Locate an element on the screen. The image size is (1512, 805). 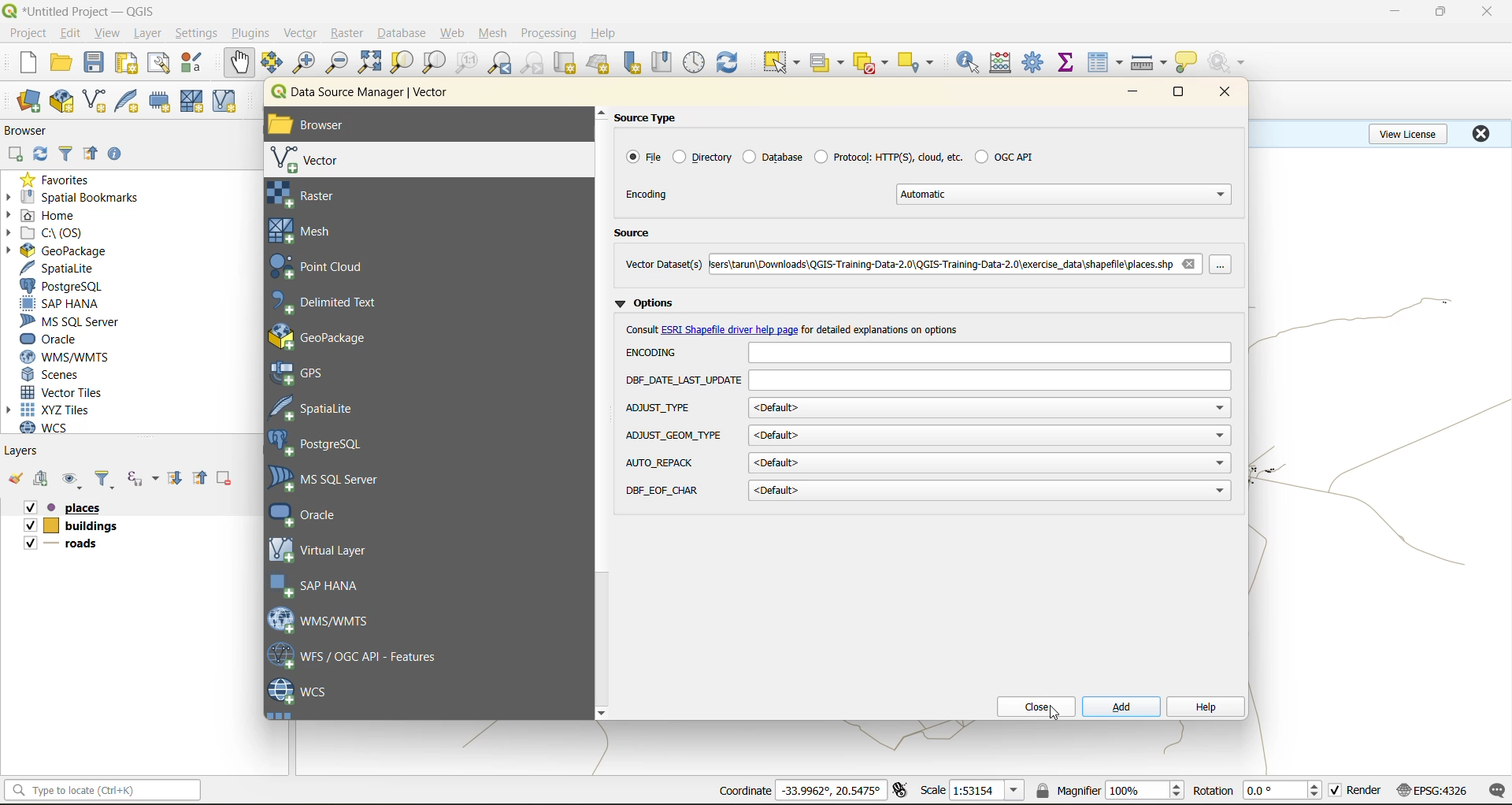
help is located at coordinates (1204, 708).